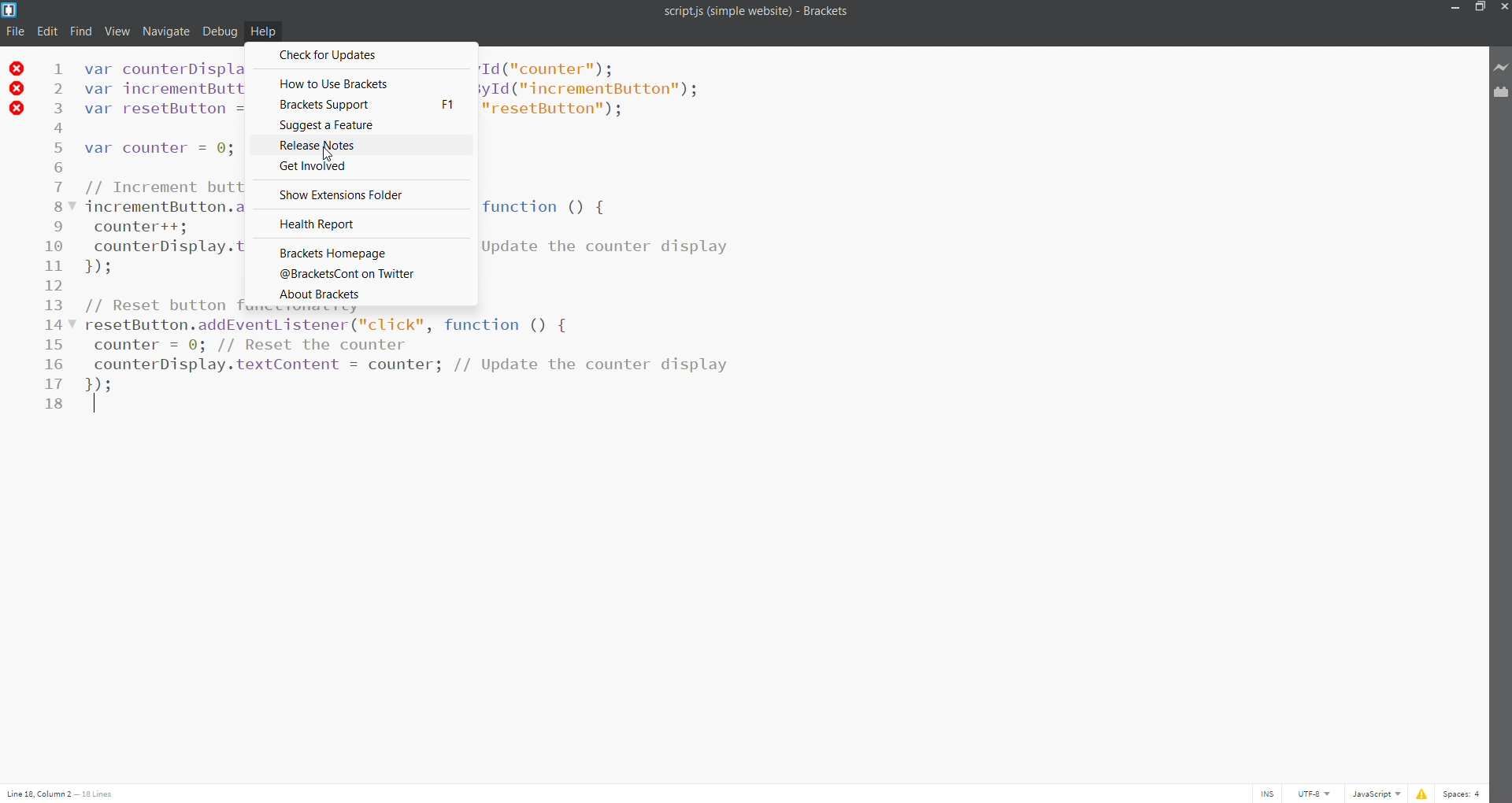 The width and height of the screenshot is (1512, 803). What do you see at coordinates (265, 32) in the screenshot?
I see `help` at bounding box center [265, 32].